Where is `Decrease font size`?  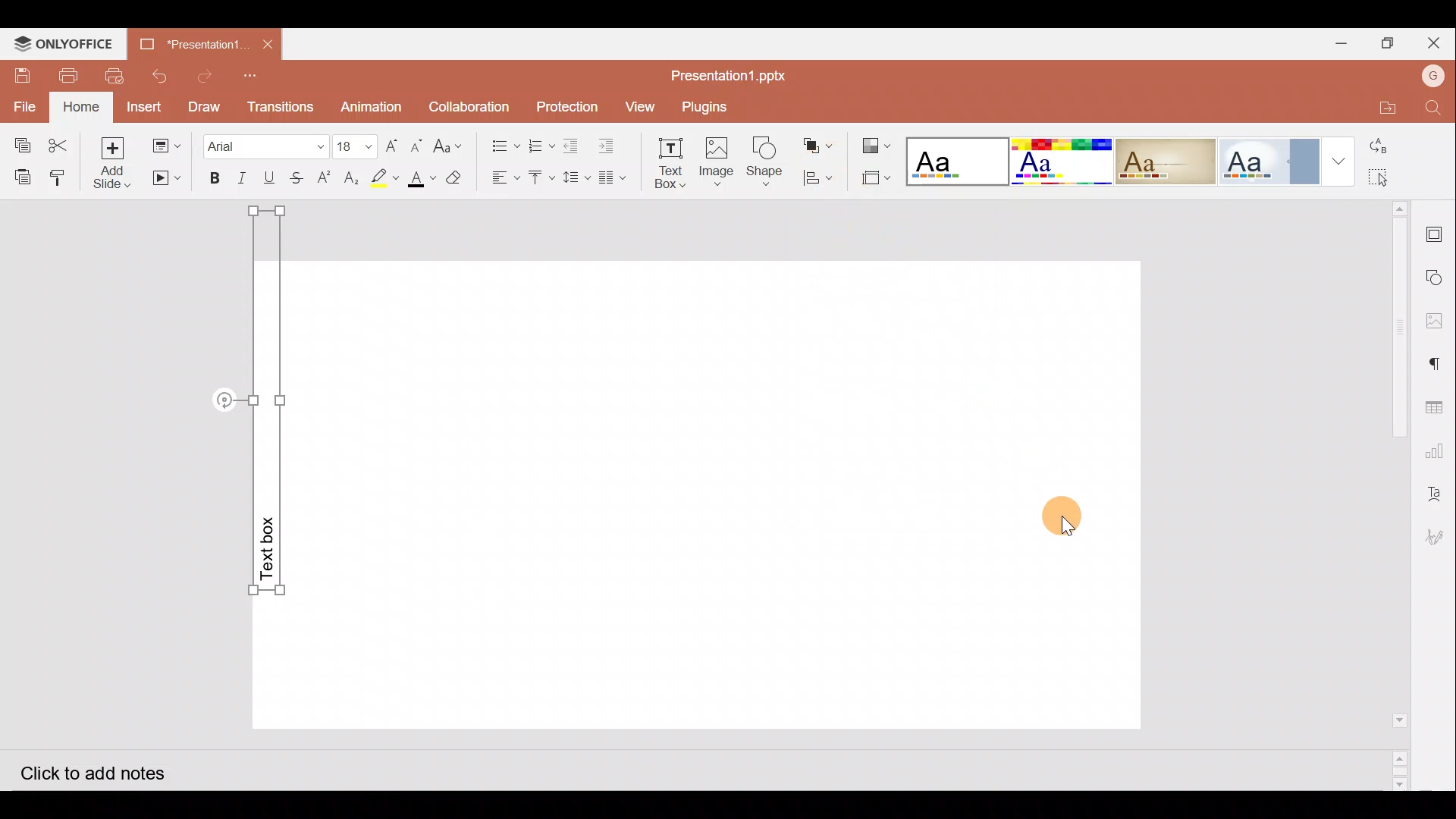 Decrease font size is located at coordinates (416, 144).